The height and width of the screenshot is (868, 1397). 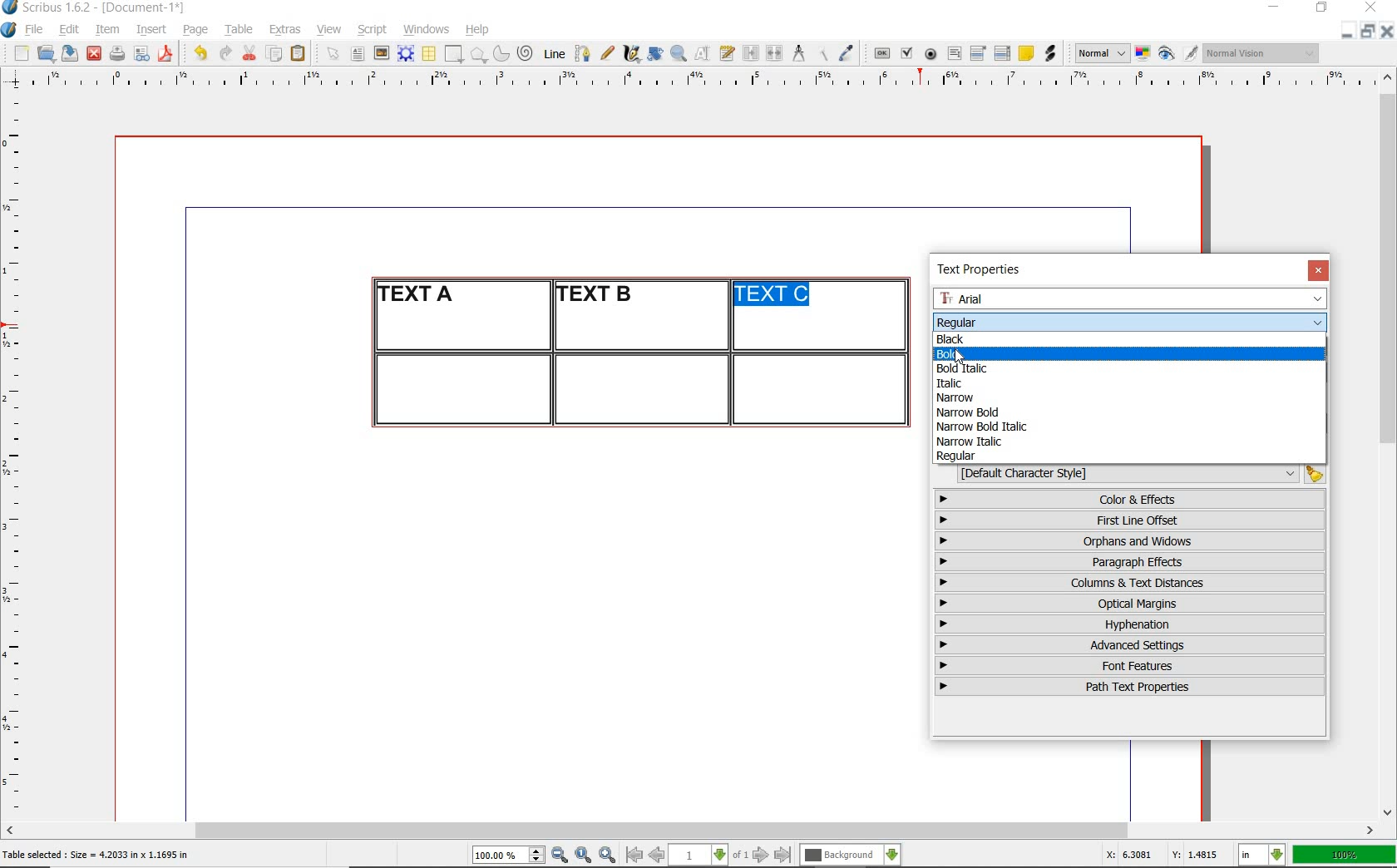 I want to click on path text properties, so click(x=1128, y=687).